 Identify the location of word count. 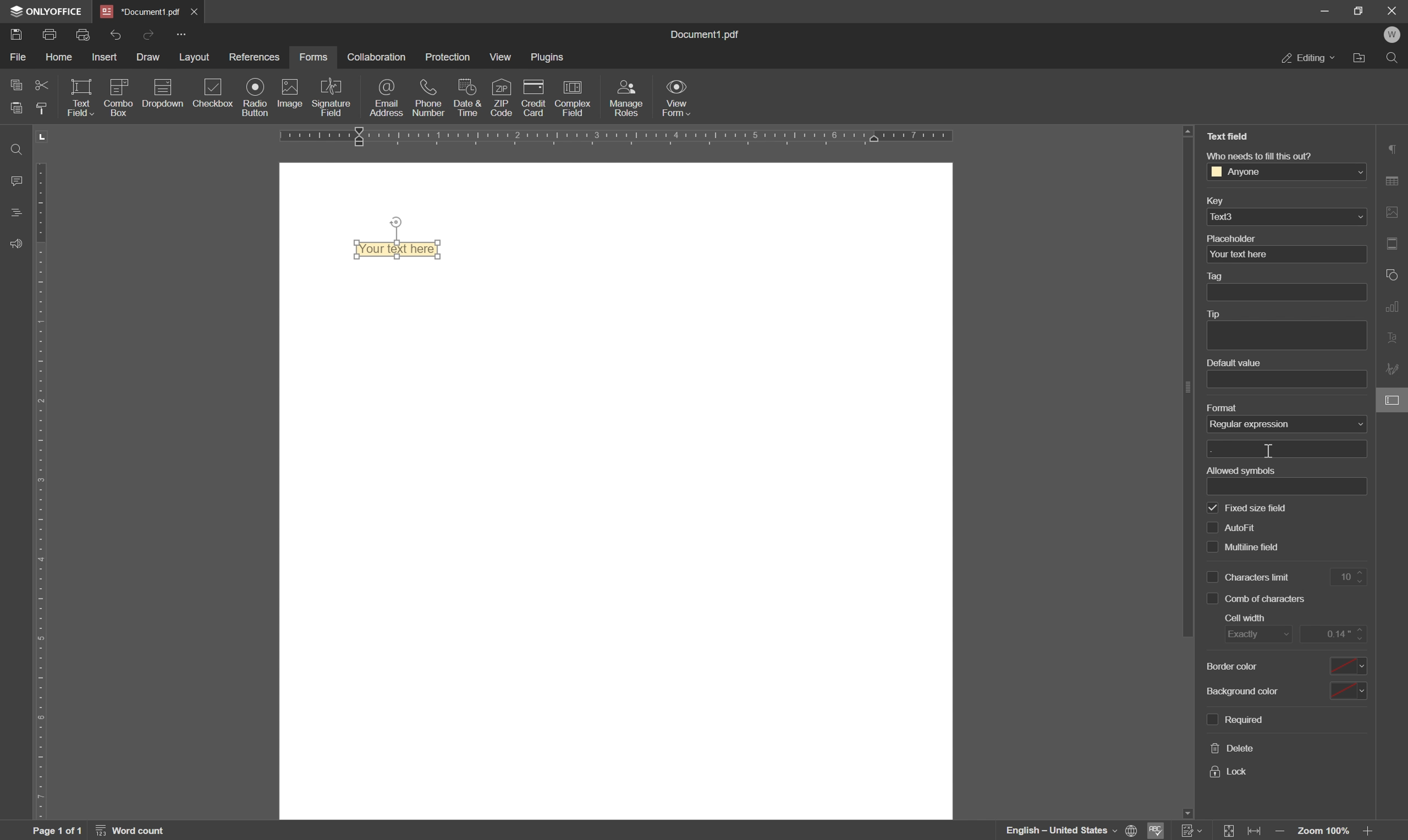
(134, 830).